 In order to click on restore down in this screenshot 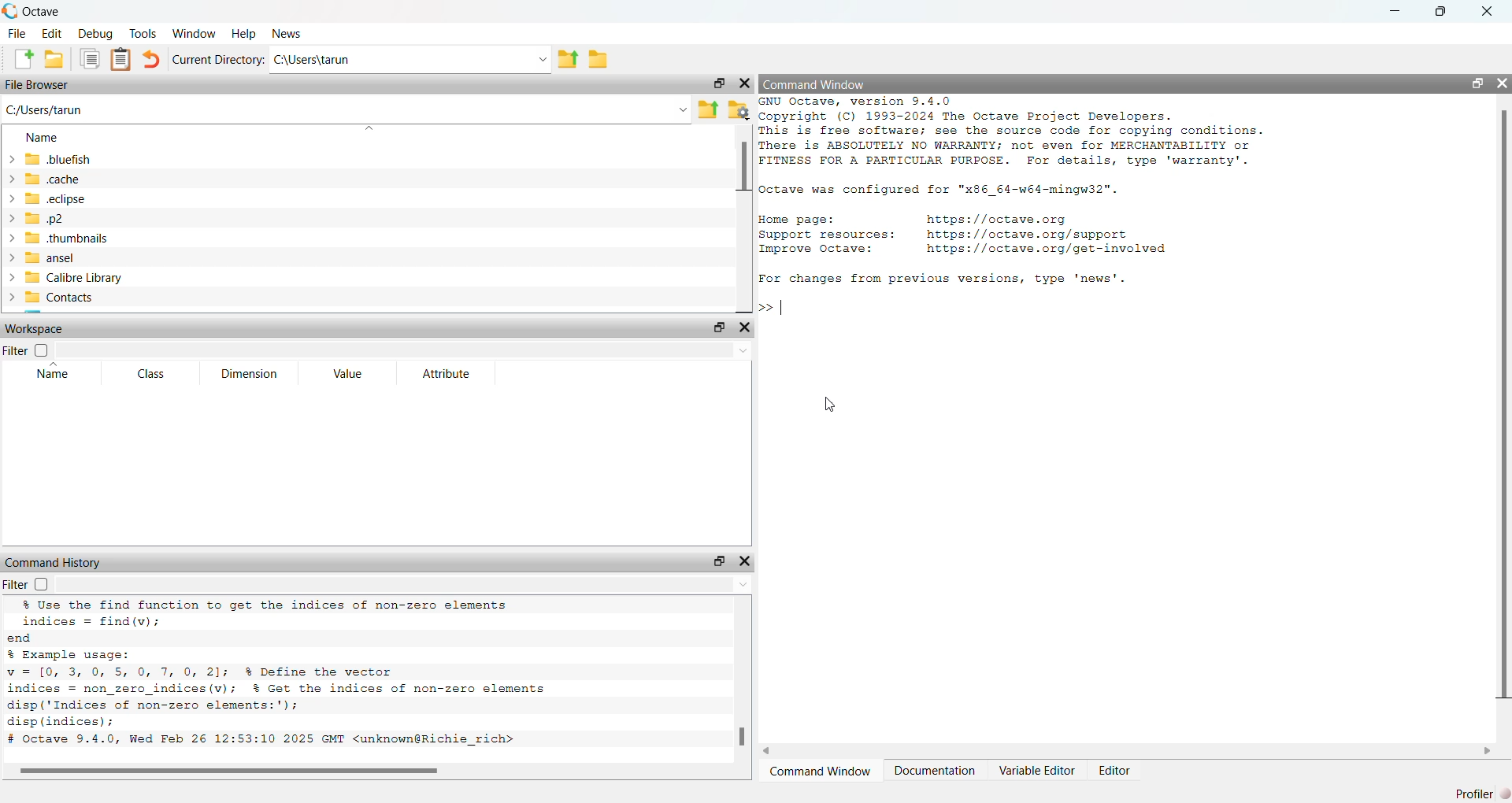, I will do `click(717, 561)`.